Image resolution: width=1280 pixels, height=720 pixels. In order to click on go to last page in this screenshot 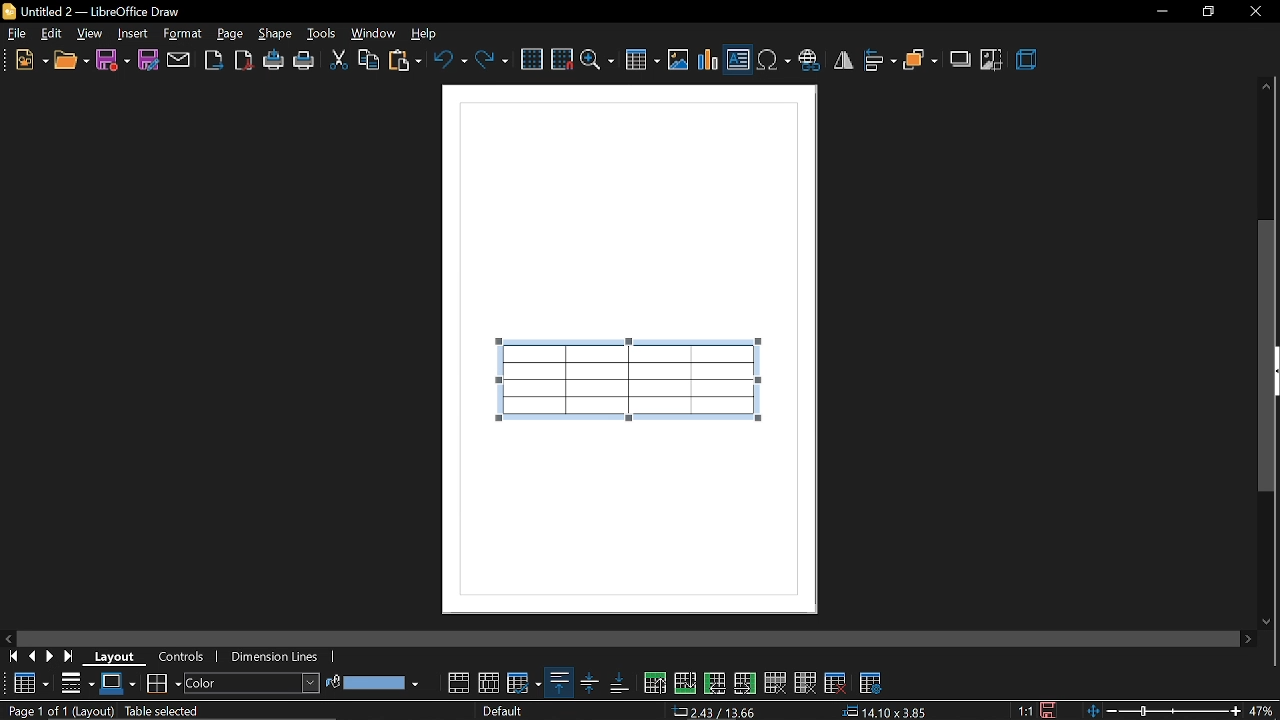, I will do `click(72, 657)`.